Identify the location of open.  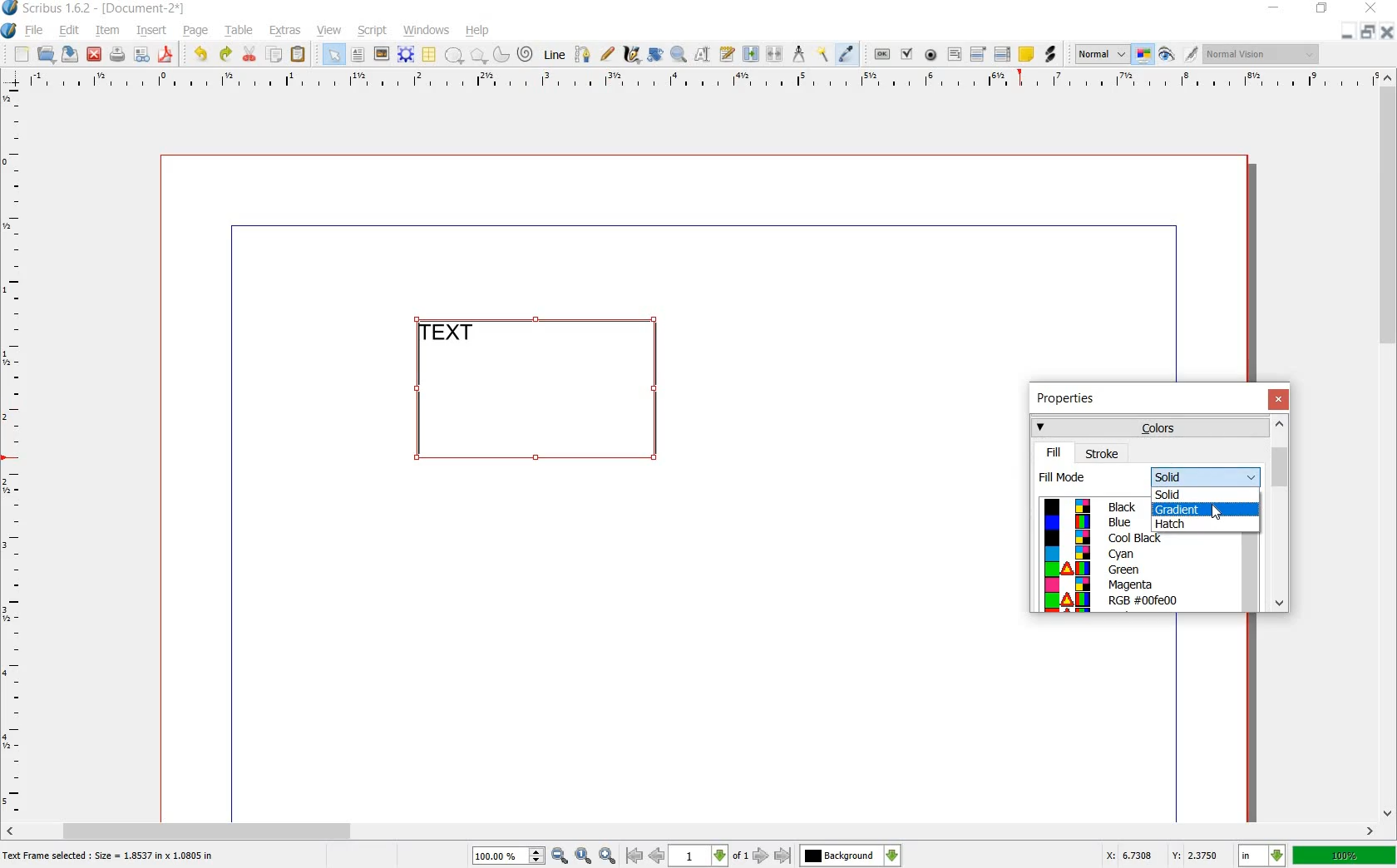
(48, 55).